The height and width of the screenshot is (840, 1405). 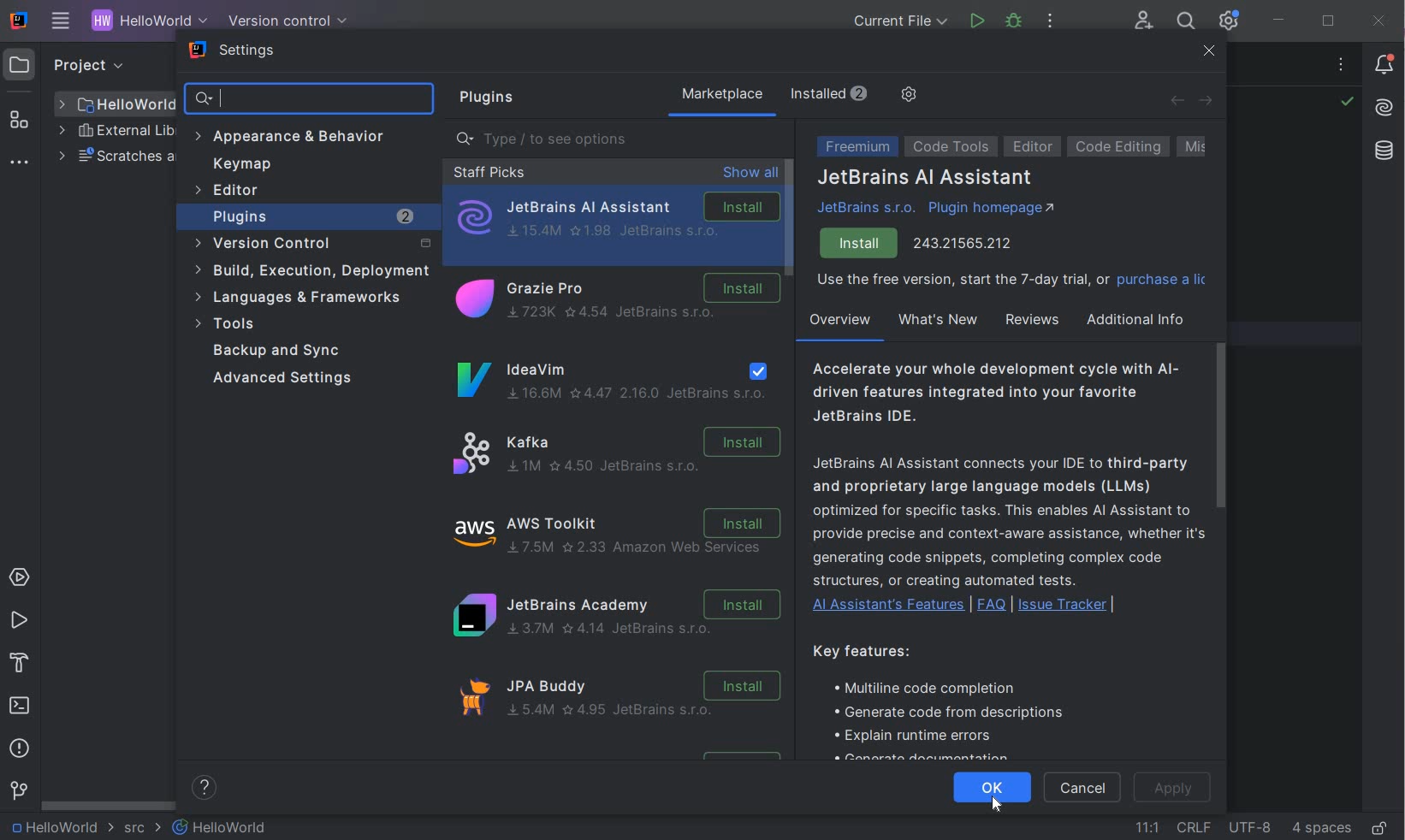 I want to click on PROJECT NAME, so click(x=145, y=22).